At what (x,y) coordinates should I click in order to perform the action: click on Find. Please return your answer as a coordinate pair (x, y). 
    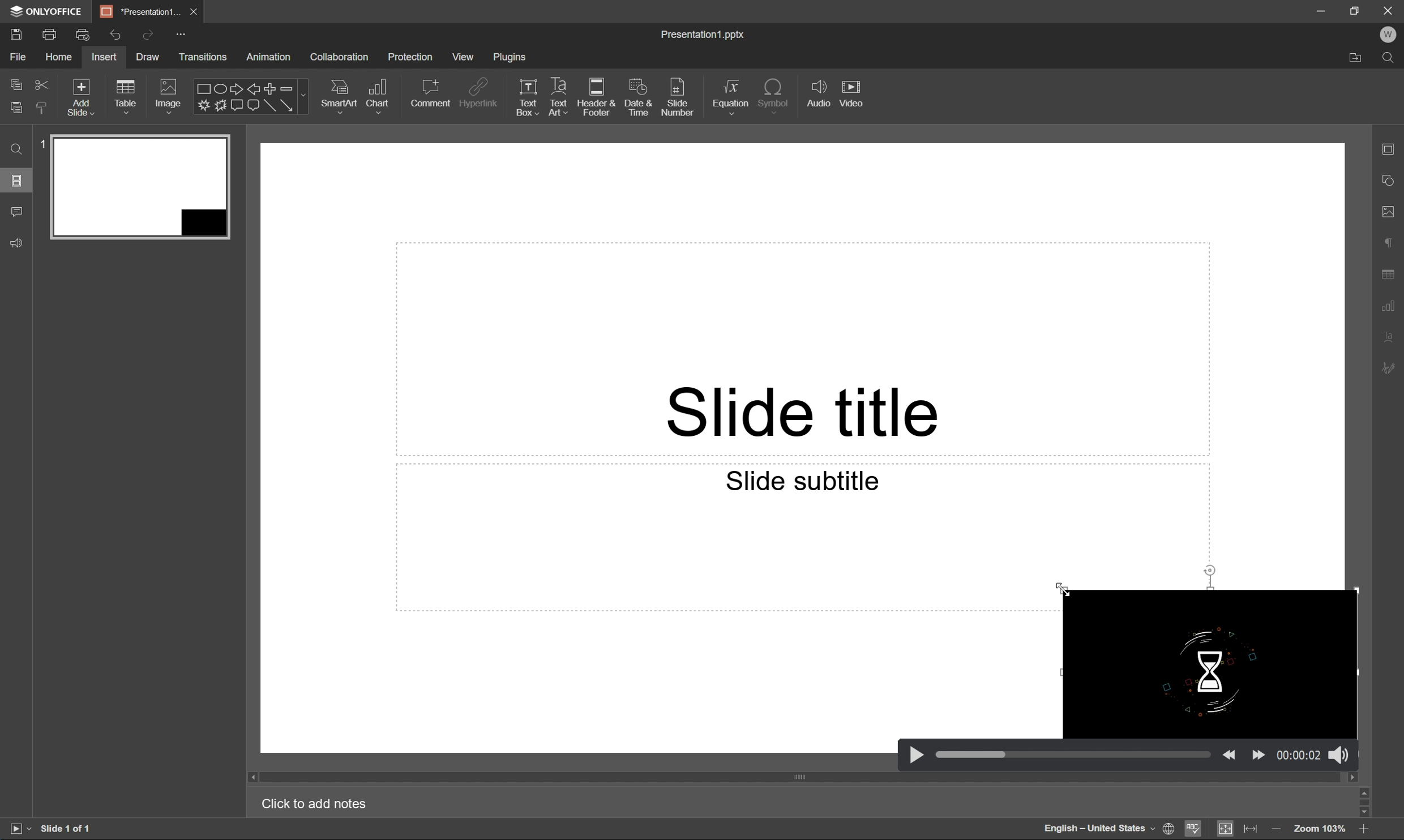
    Looking at the image, I should click on (18, 152).